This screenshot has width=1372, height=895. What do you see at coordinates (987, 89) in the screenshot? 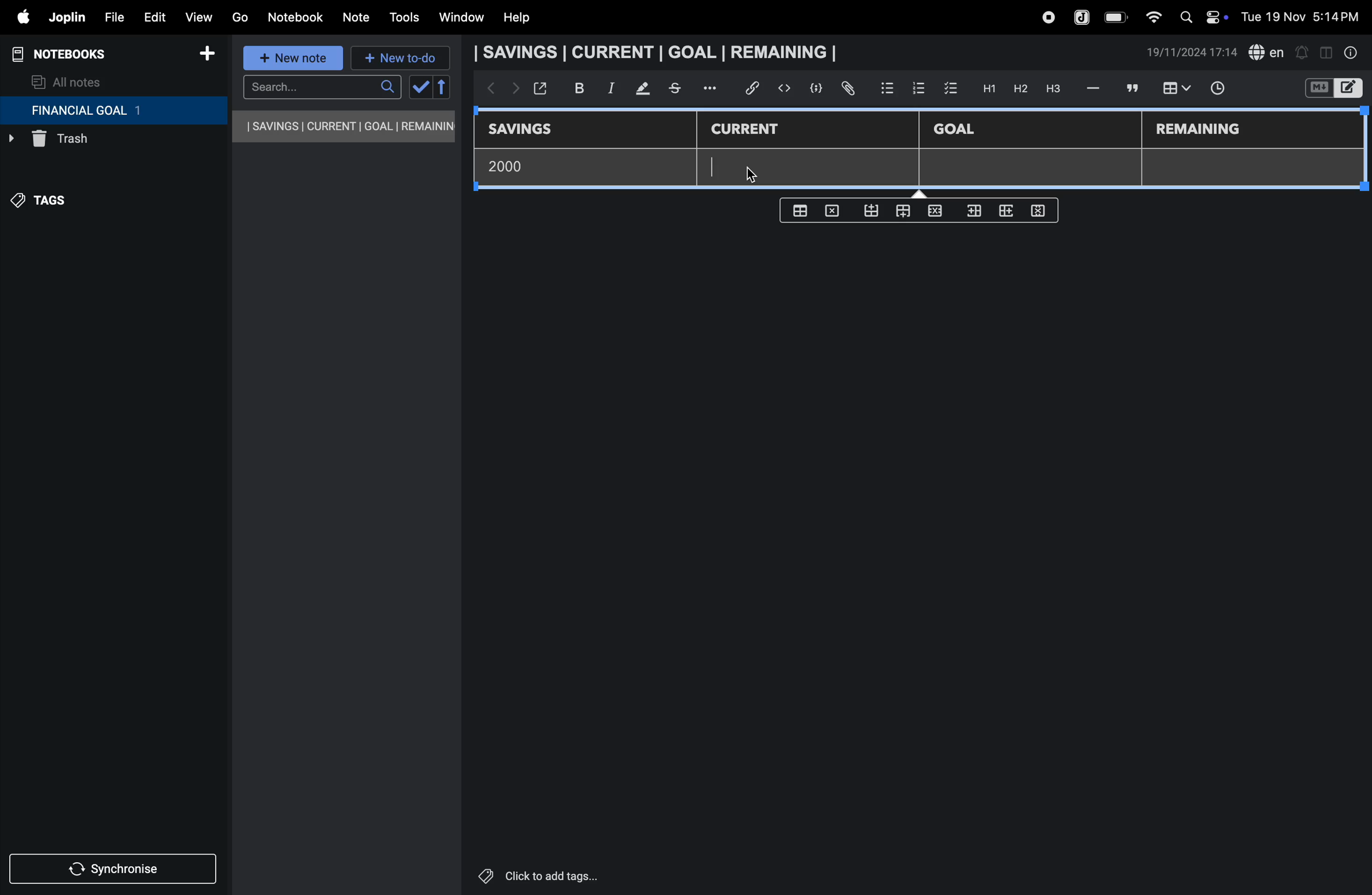
I see `H1` at bounding box center [987, 89].